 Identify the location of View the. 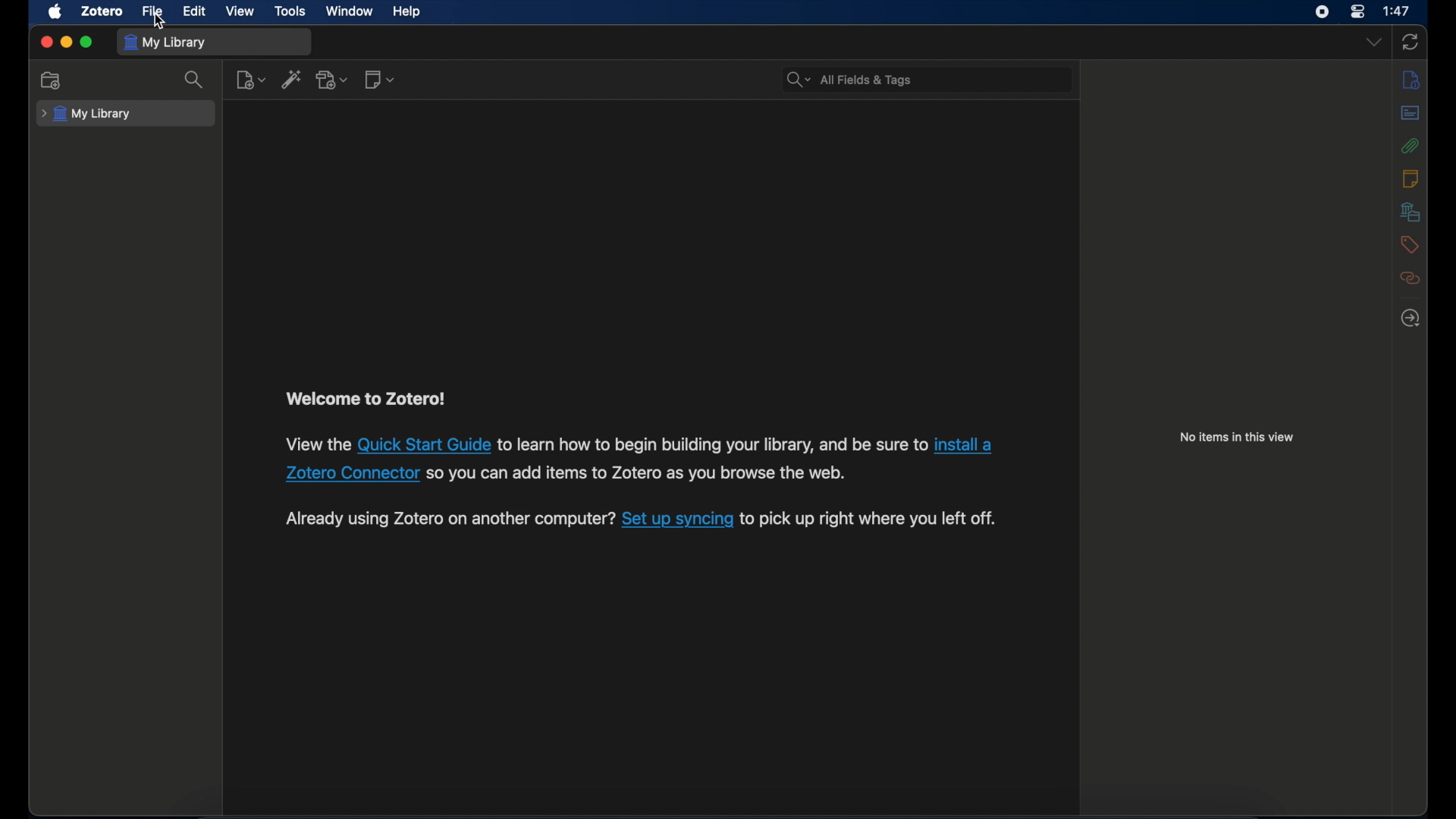
(318, 444).